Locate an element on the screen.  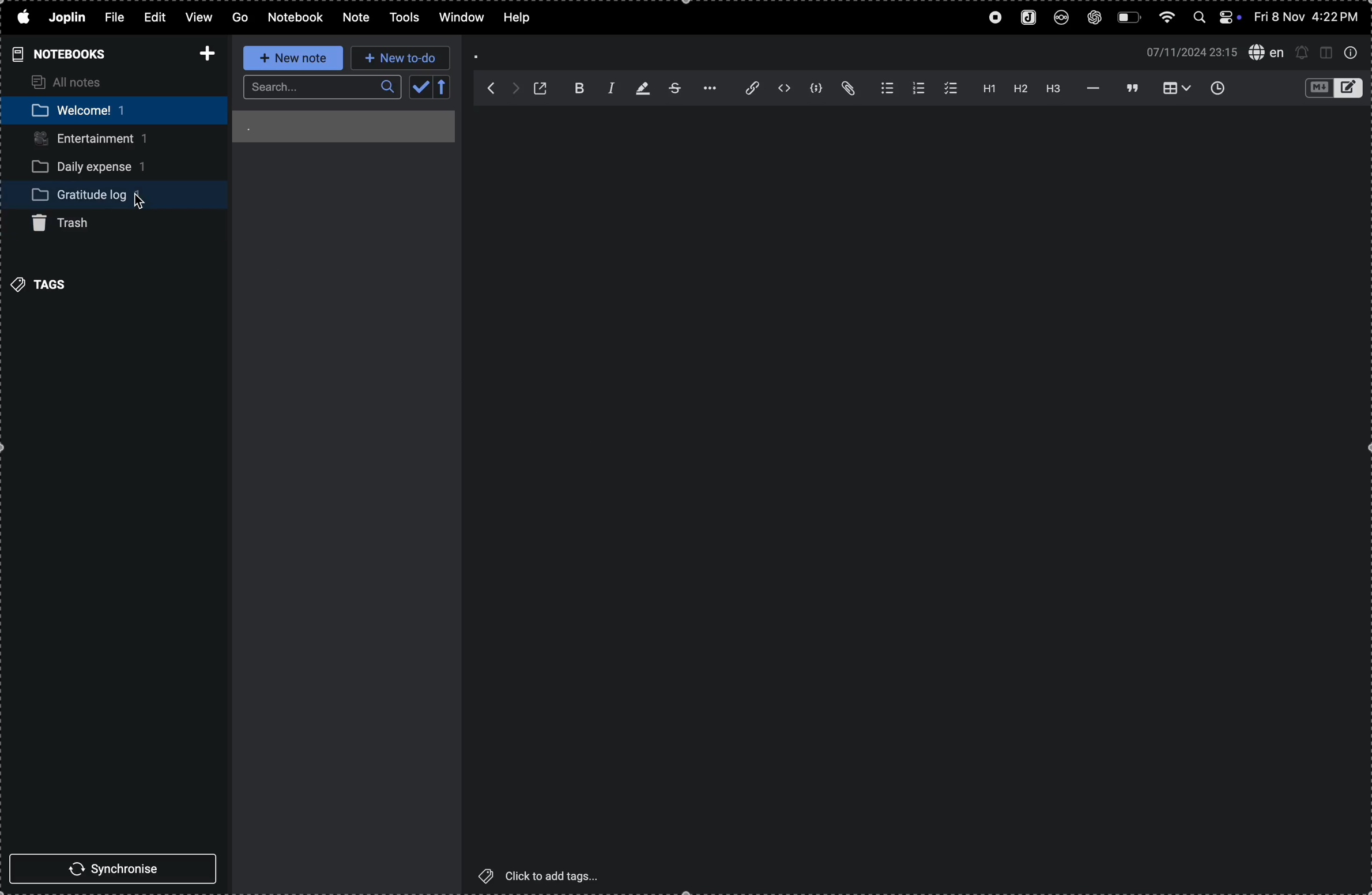
italic is located at coordinates (608, 88).